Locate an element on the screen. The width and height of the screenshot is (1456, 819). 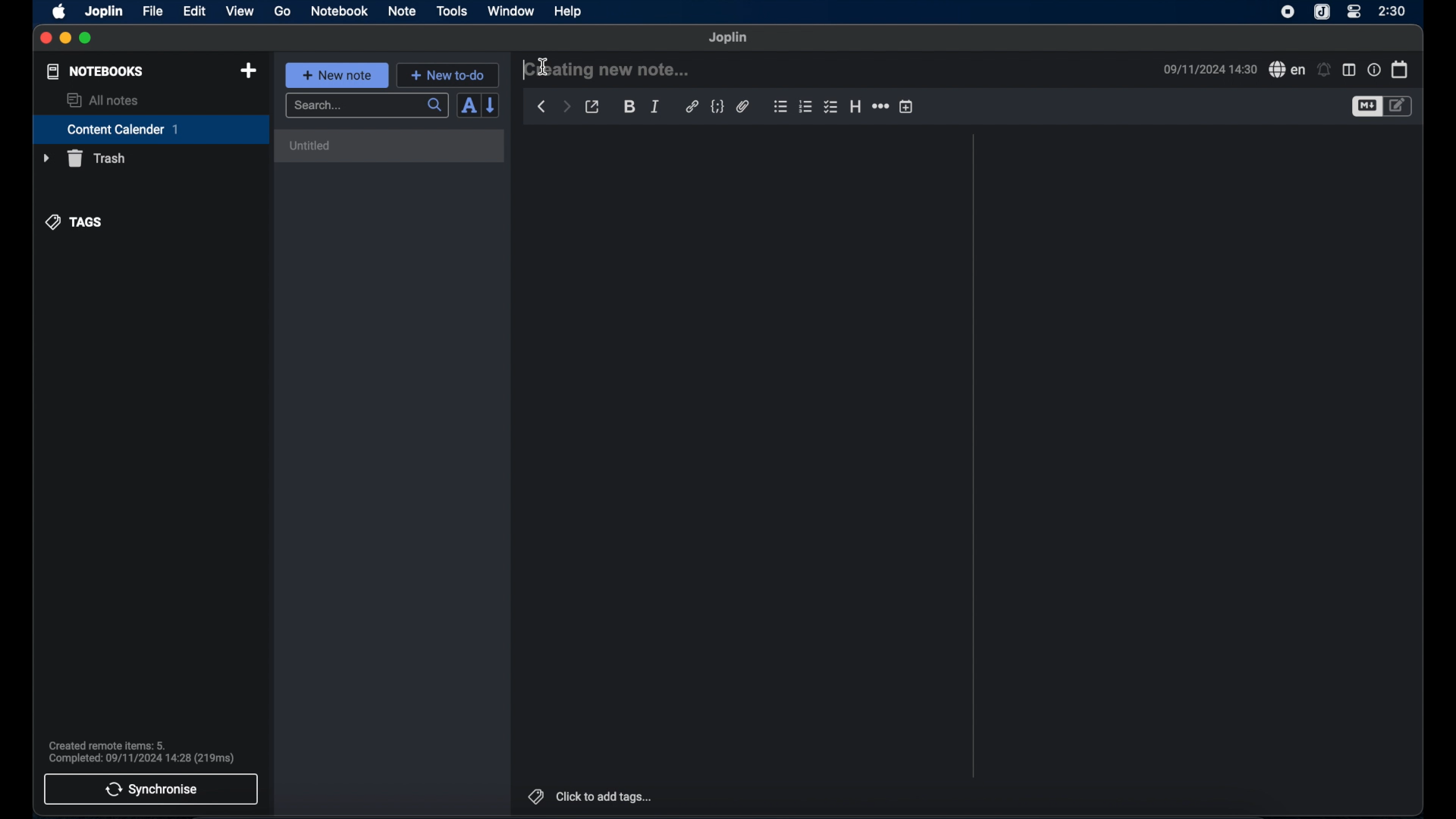
hyperlink is located at coordinates (692, 105).